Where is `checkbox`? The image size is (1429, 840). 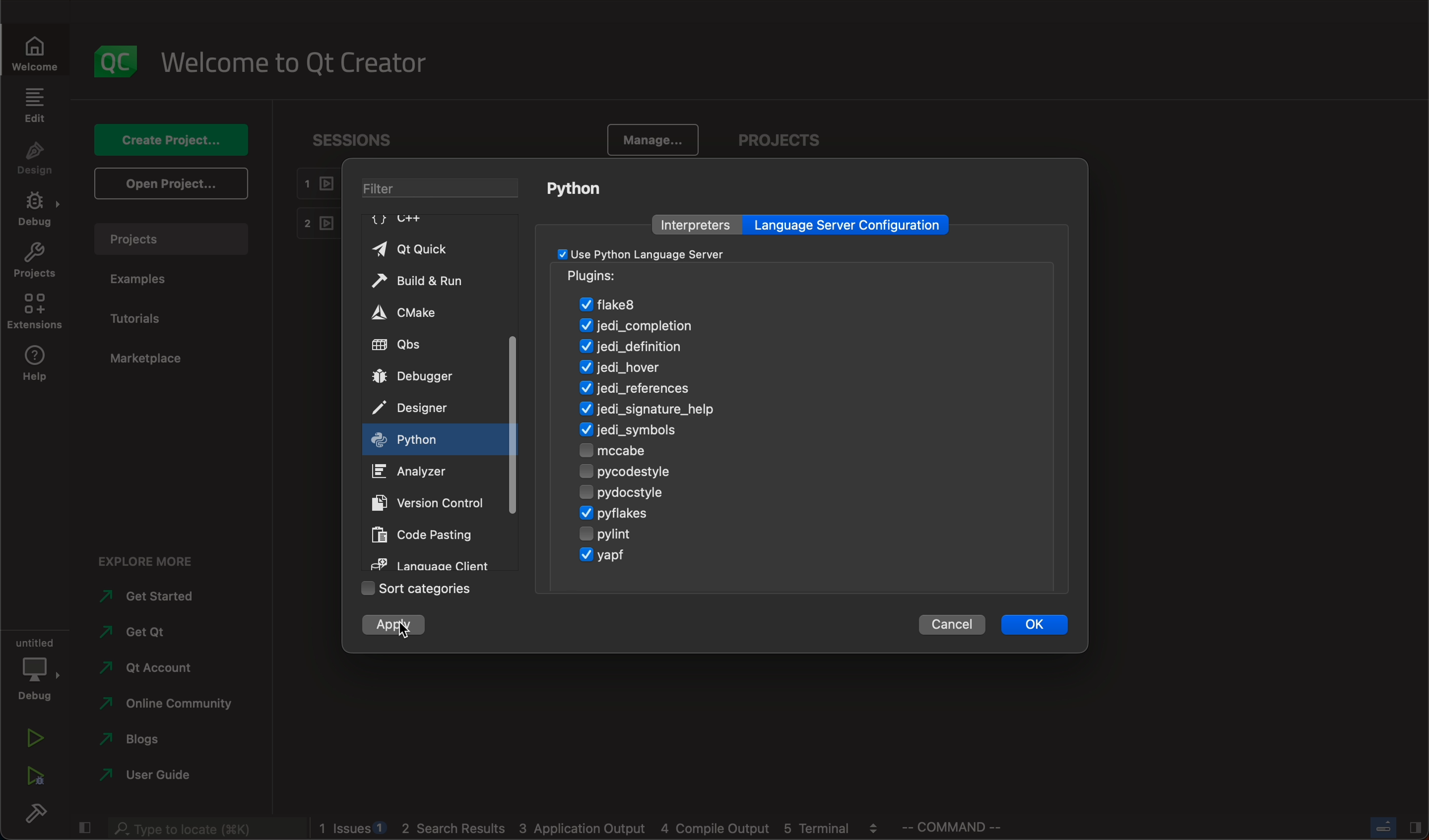
checkbox is located at coordinates (641, 255).